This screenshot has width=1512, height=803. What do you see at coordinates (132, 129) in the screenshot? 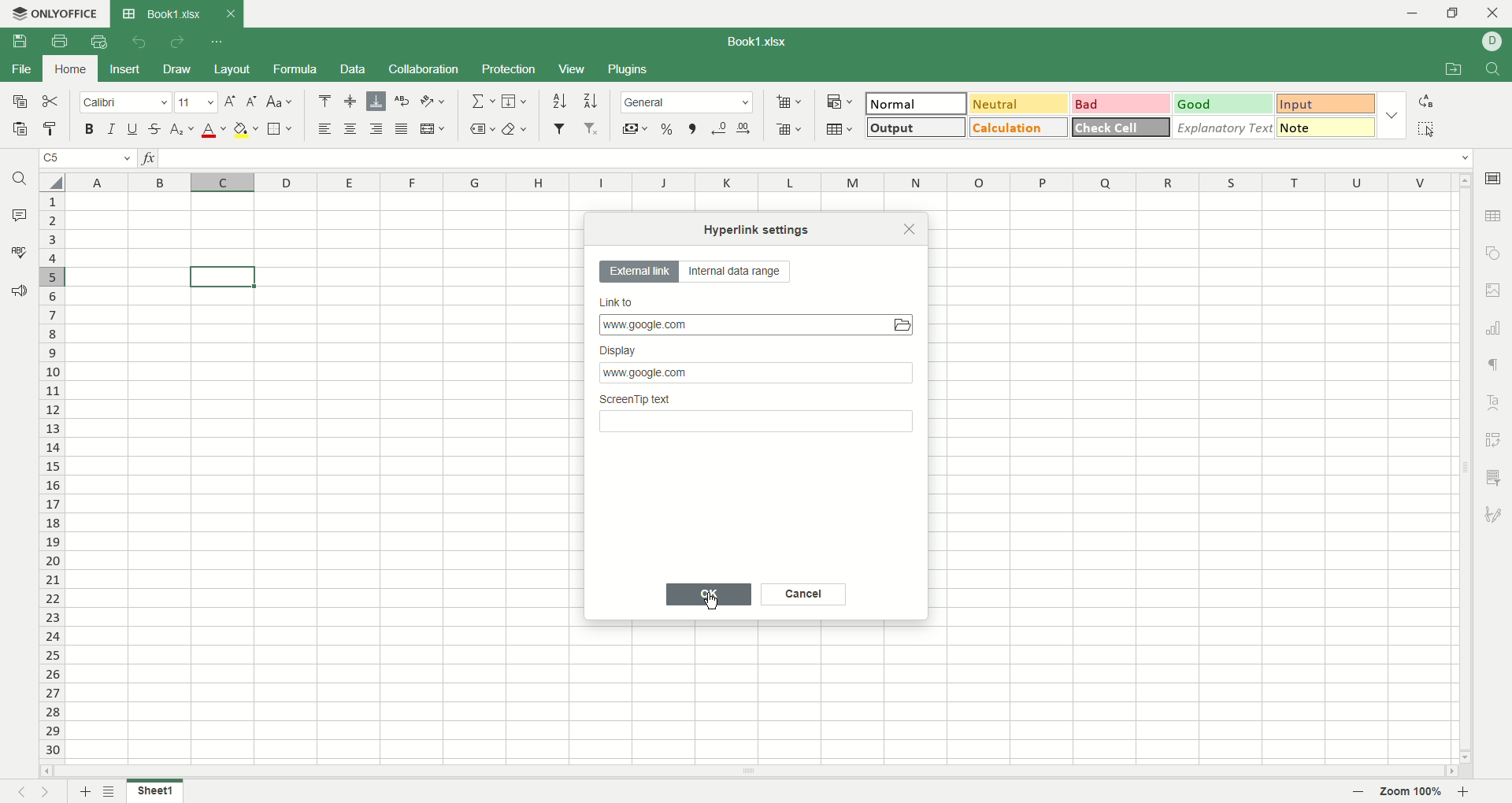
I see `underline` at bounding box center [132, 129].